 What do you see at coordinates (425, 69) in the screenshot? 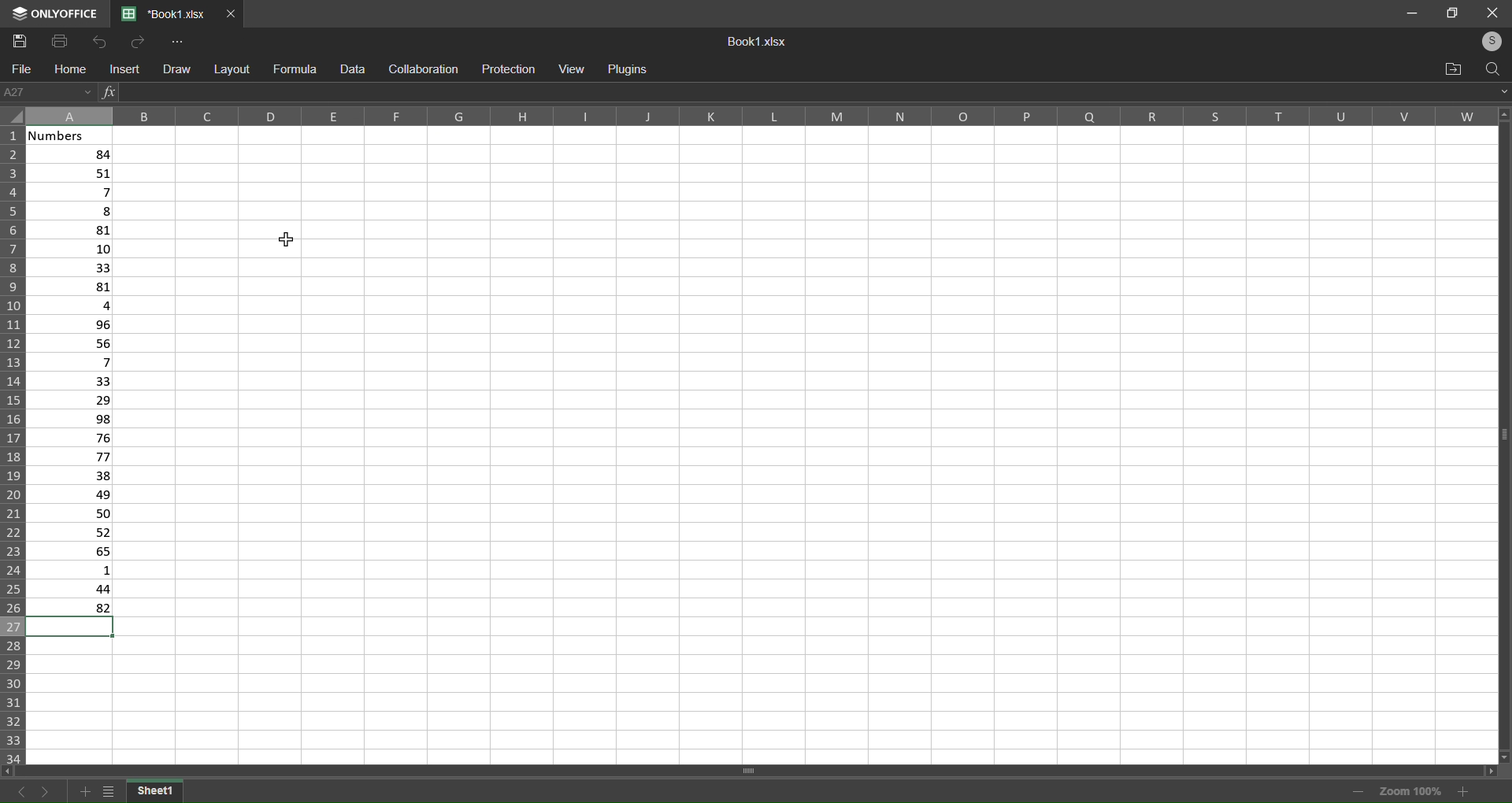
I see `collaboration` at bounding box center [425, 69].